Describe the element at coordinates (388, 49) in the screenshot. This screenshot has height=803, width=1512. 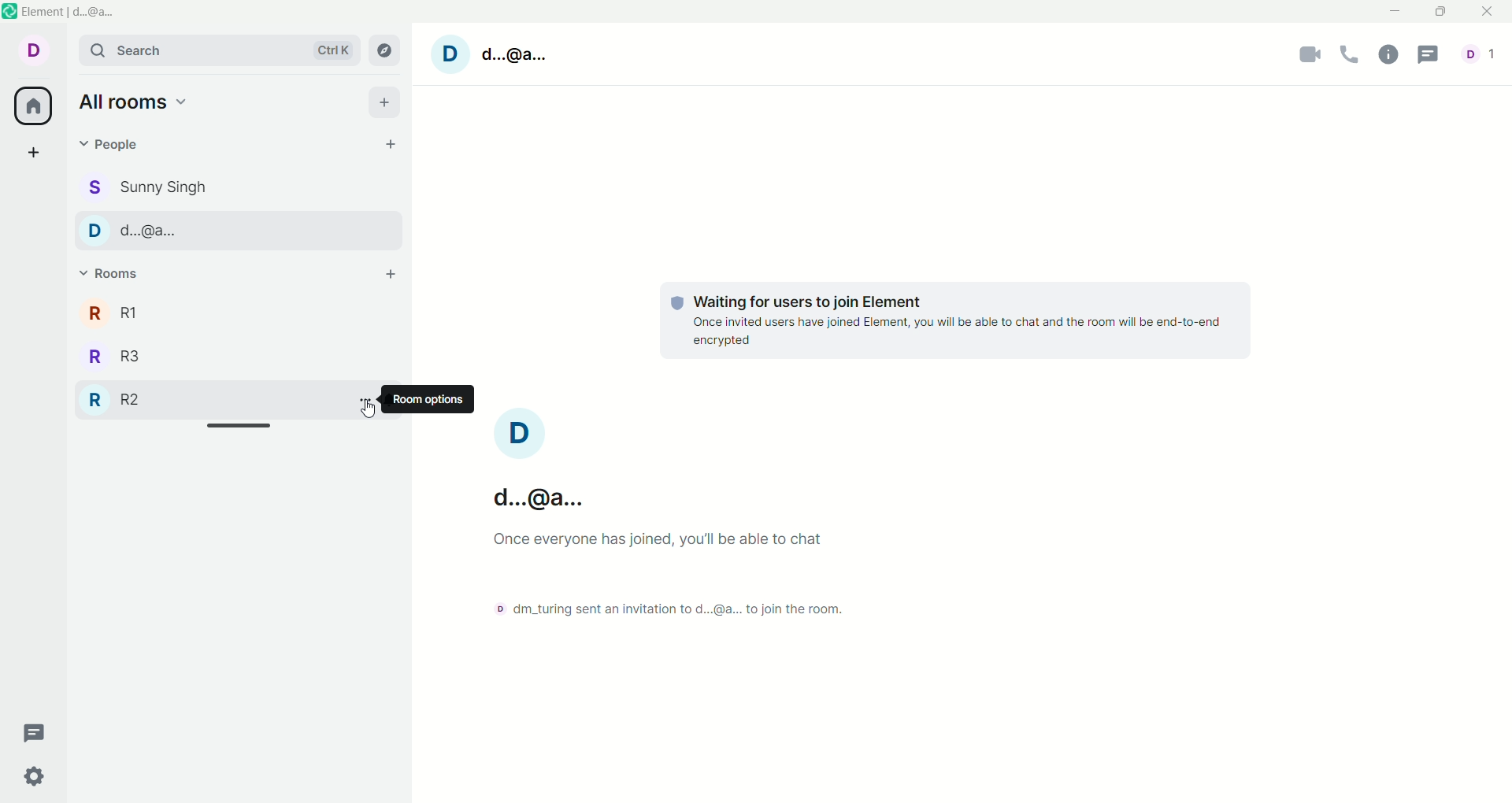
I see `explore rooms` at that location.